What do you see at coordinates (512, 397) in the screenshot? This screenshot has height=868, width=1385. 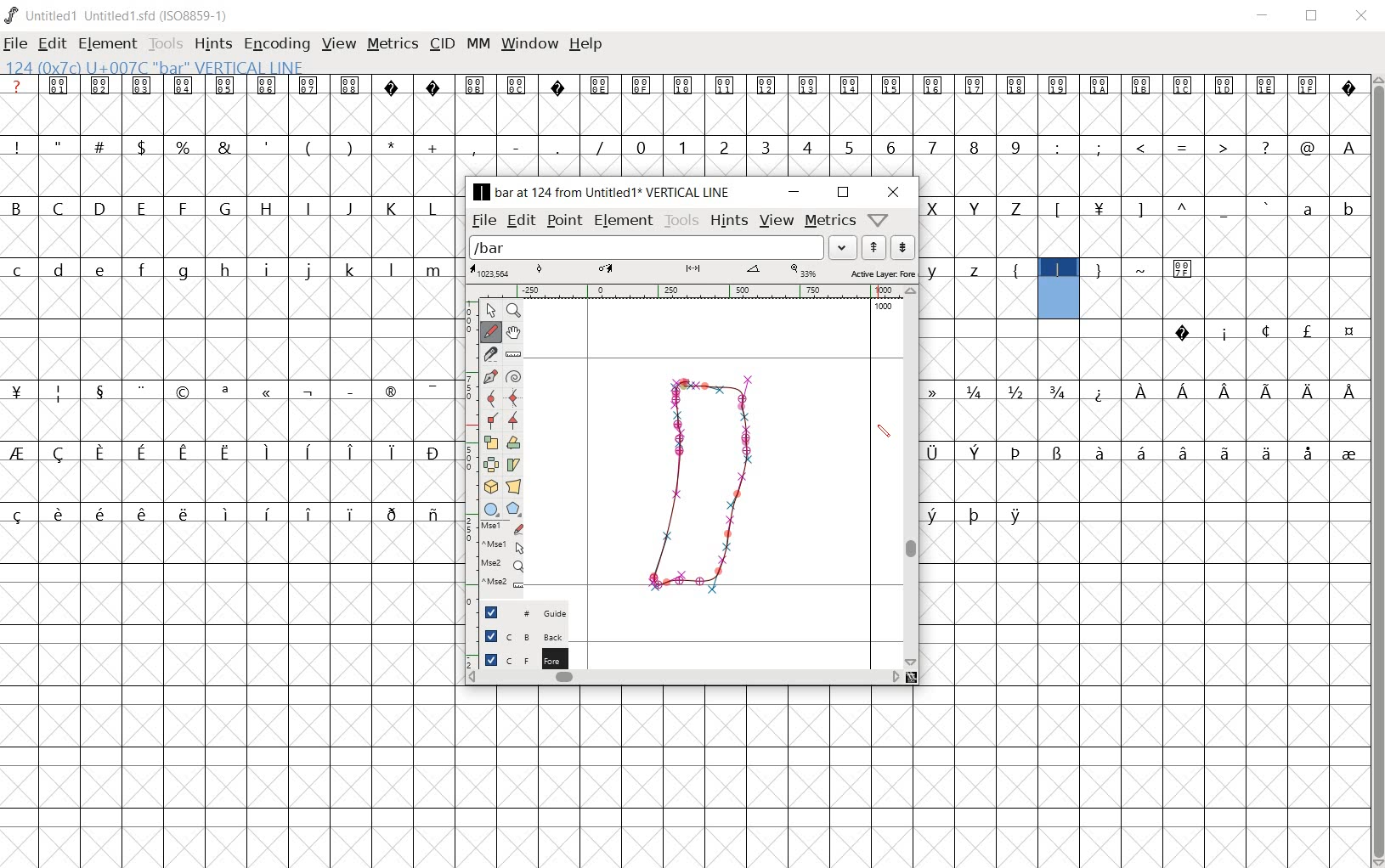 I see `add a curve point always either horizontal or vertical` at bounding box center [512, 397].